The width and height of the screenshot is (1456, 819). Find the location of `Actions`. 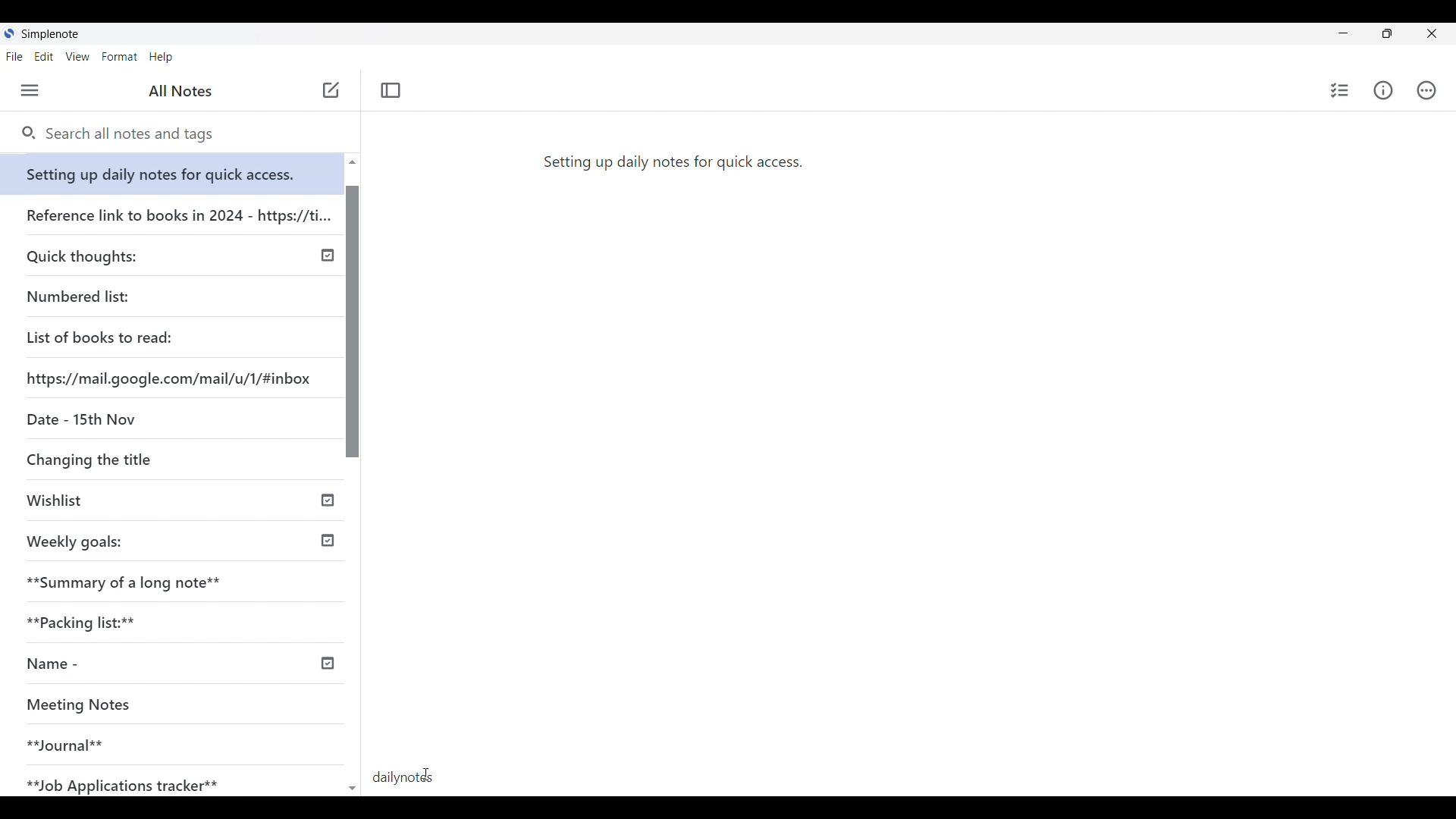

Actions is located at coordinates (1426, 89).